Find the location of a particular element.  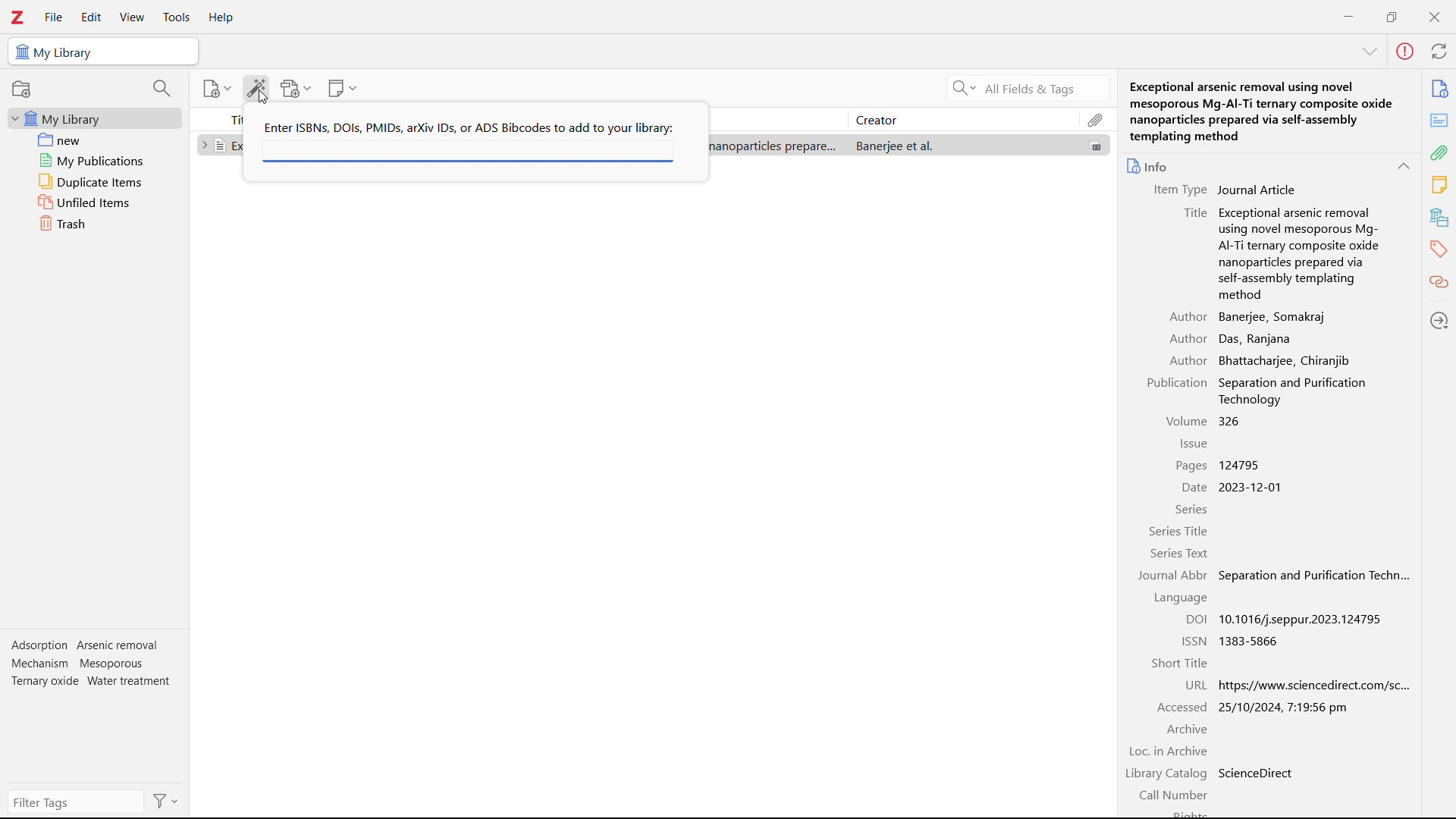

add items by identifiers is located at coordinates (256, 88).